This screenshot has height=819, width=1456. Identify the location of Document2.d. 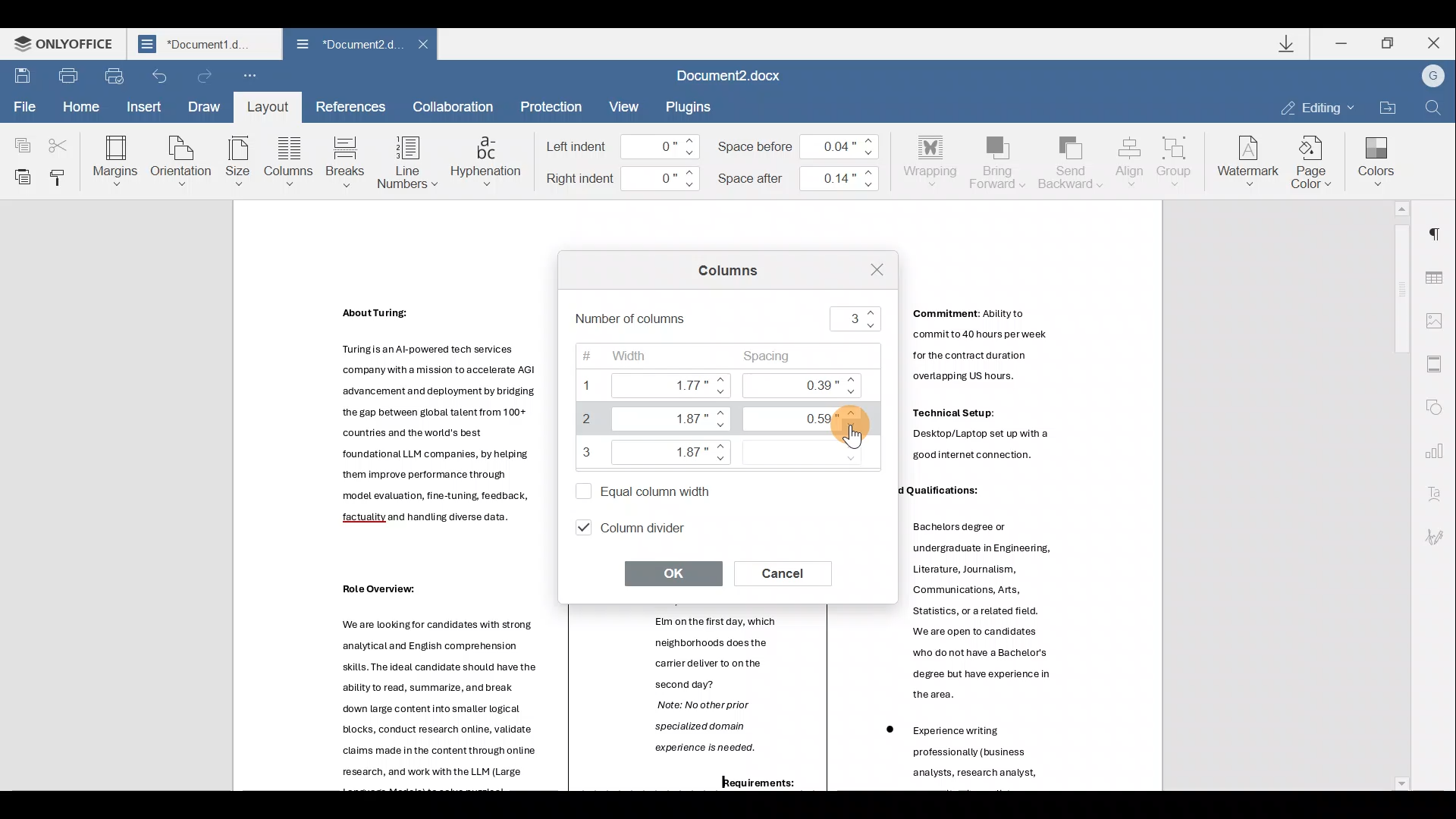
(204, 48).